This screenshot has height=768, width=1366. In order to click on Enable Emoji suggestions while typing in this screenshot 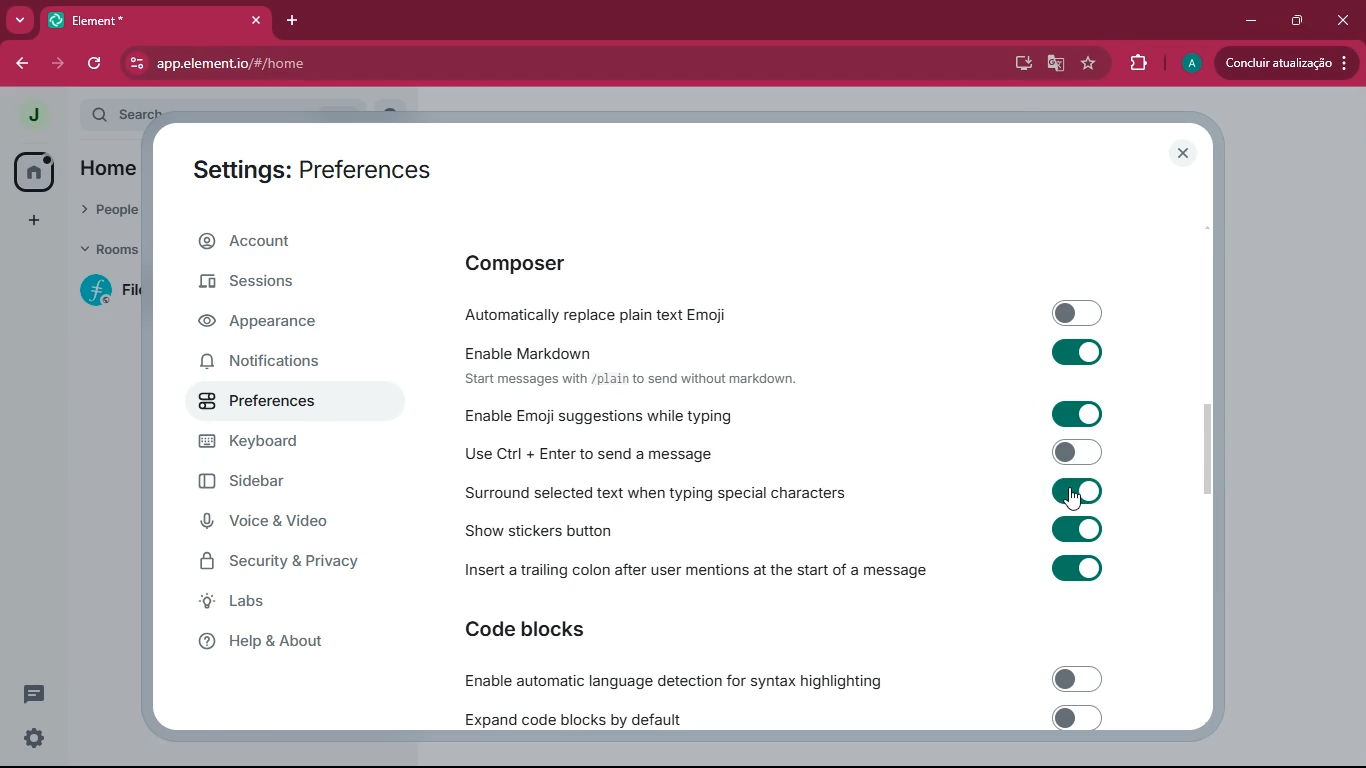, I will do `click(793, 412)`.